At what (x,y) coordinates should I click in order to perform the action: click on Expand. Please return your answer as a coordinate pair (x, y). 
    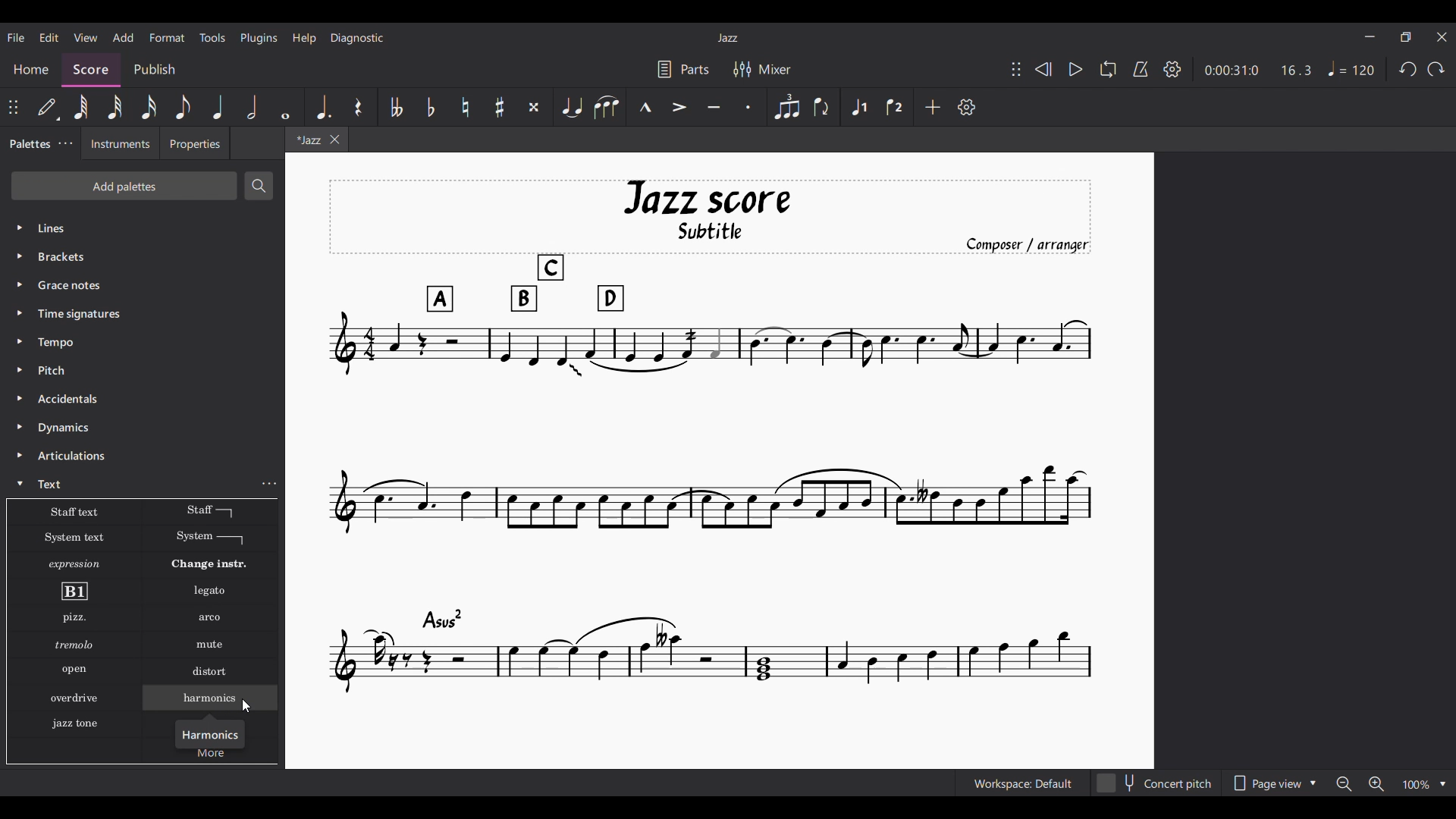
    Looking at the image, I should click on (22, 356).